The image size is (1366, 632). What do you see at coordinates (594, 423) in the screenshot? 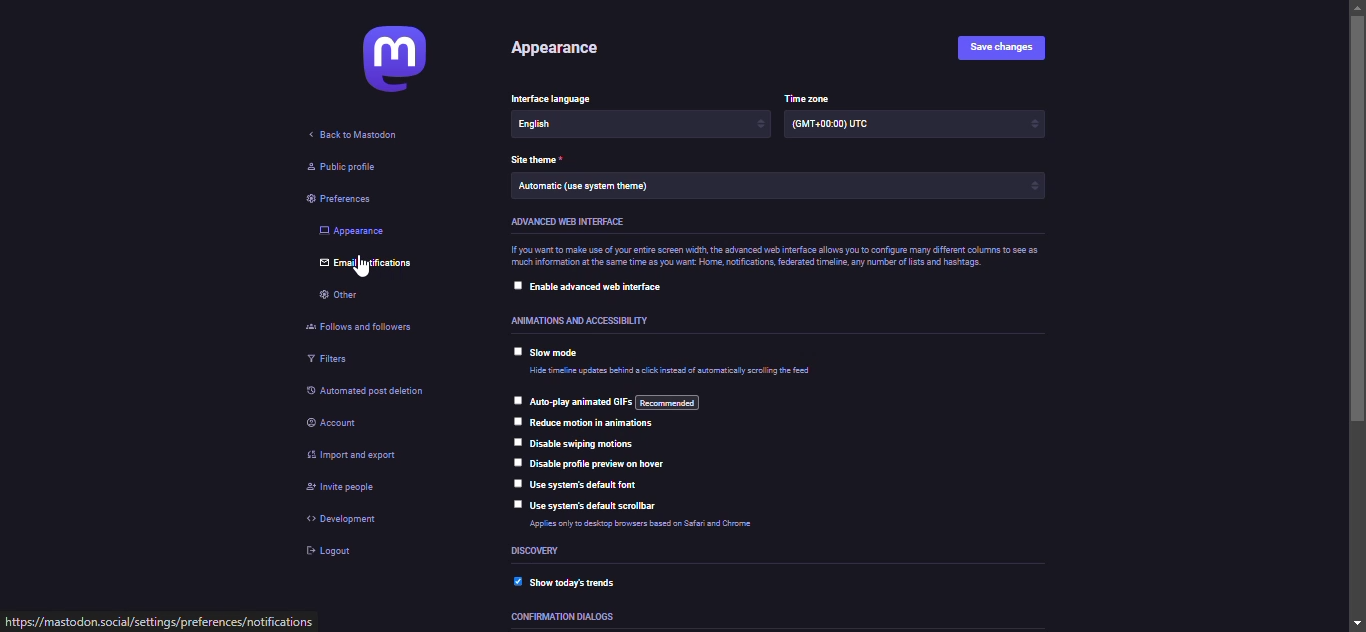
I see `reduce motion in animations` at bounding box center [594, 423].